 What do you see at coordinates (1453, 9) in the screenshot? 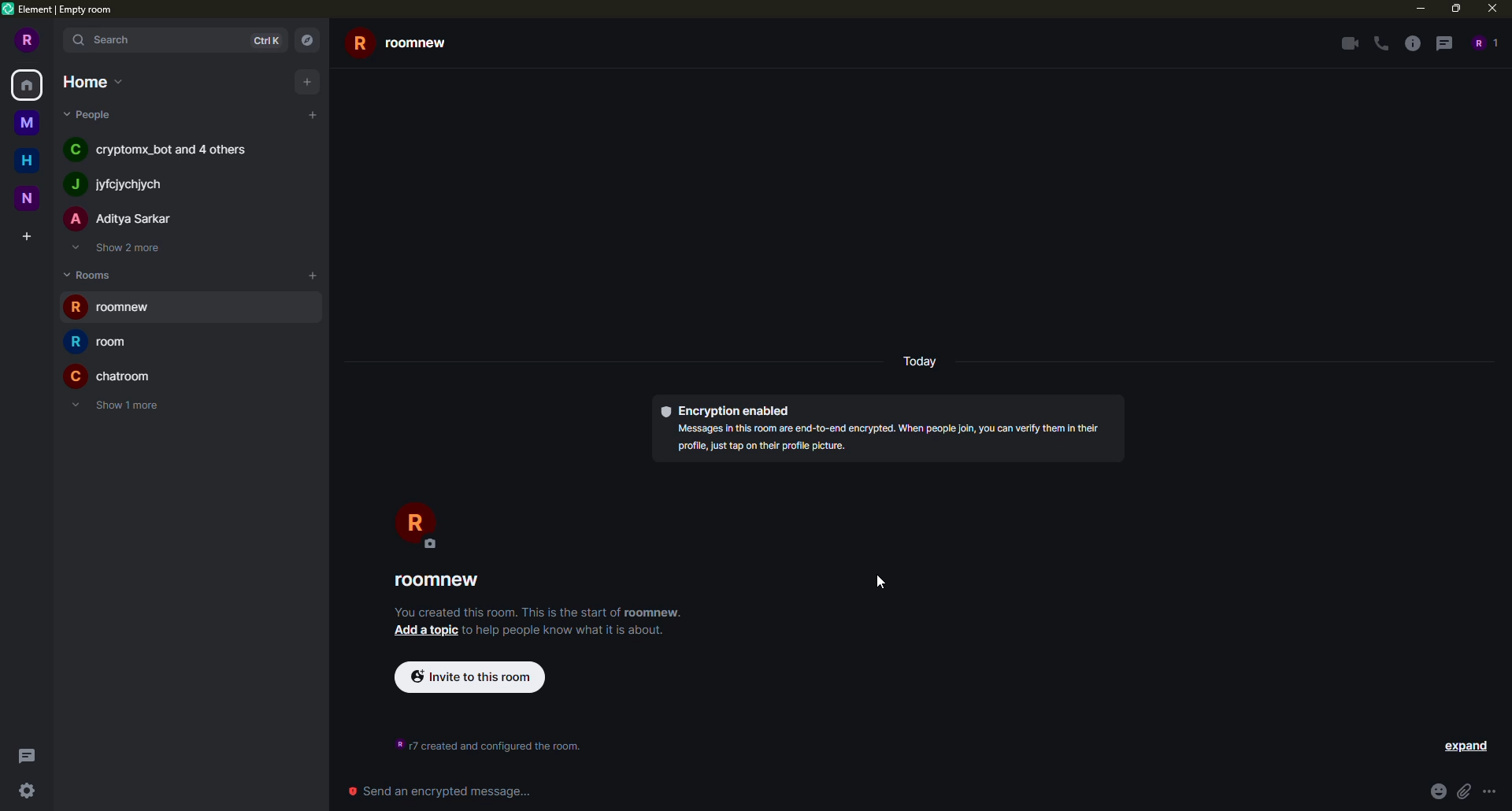
I see `maximize` at bounding box center [1453, 9].